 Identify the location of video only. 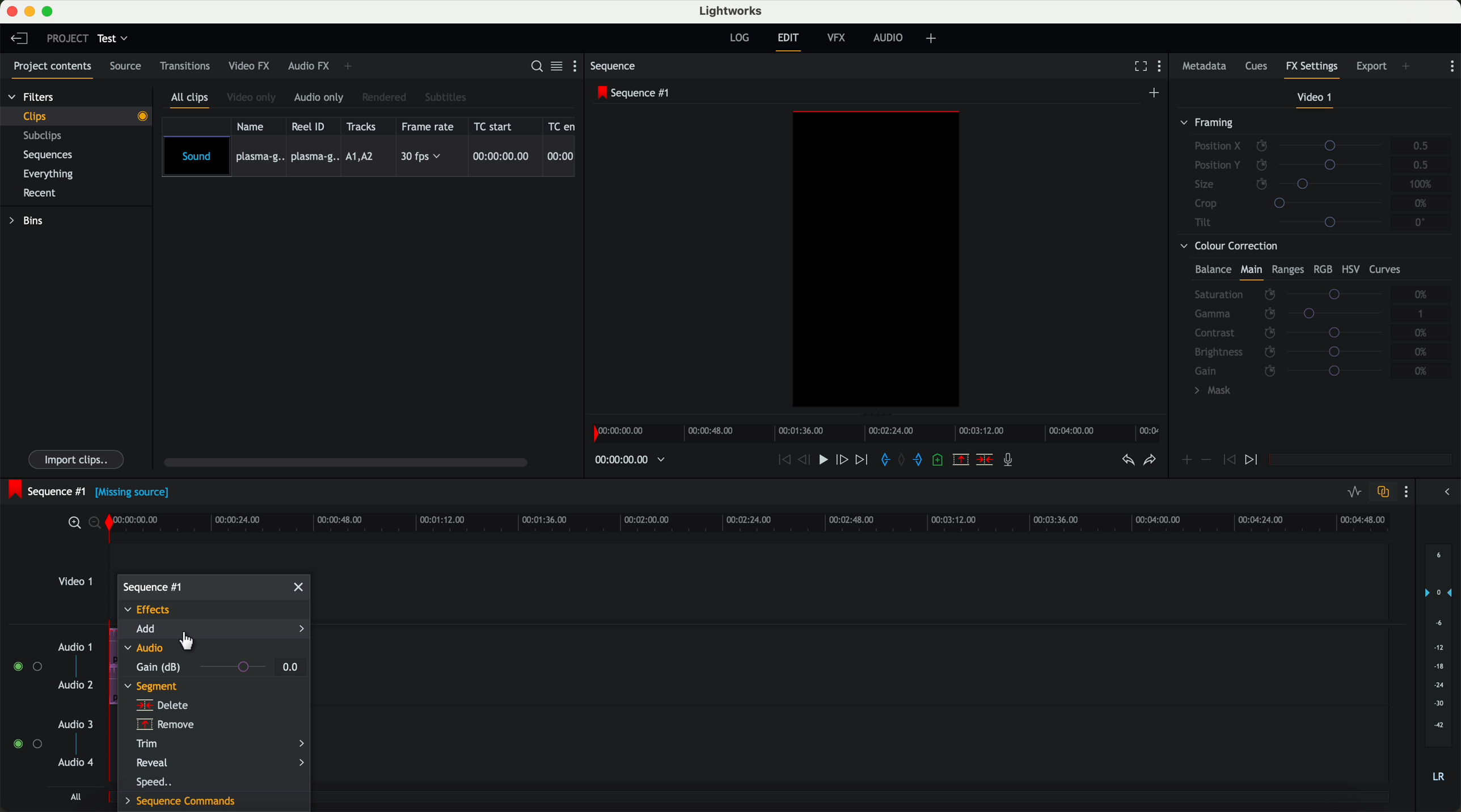
(254, 98).